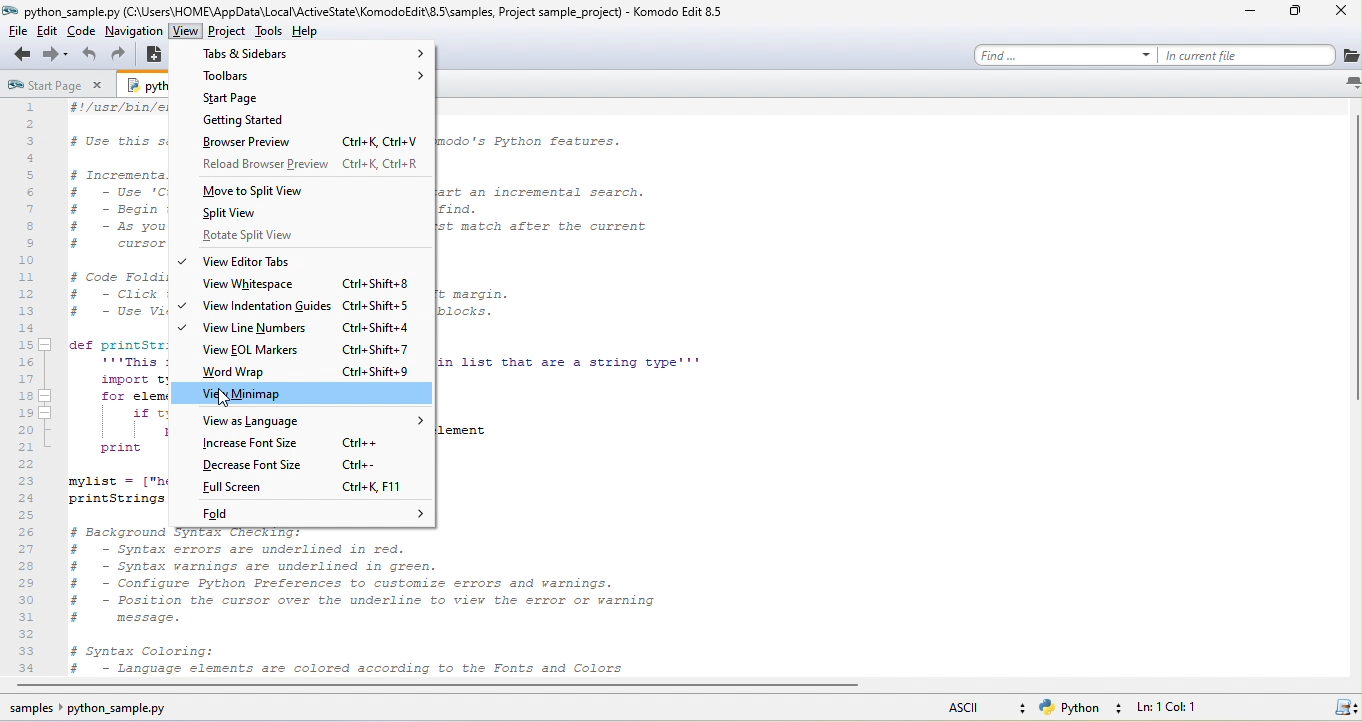 Image resolution: width=1362 pixels, height=722 pixels. Describe the element at coordinates (370, 12) in the screenshot. I see `title` at that location.